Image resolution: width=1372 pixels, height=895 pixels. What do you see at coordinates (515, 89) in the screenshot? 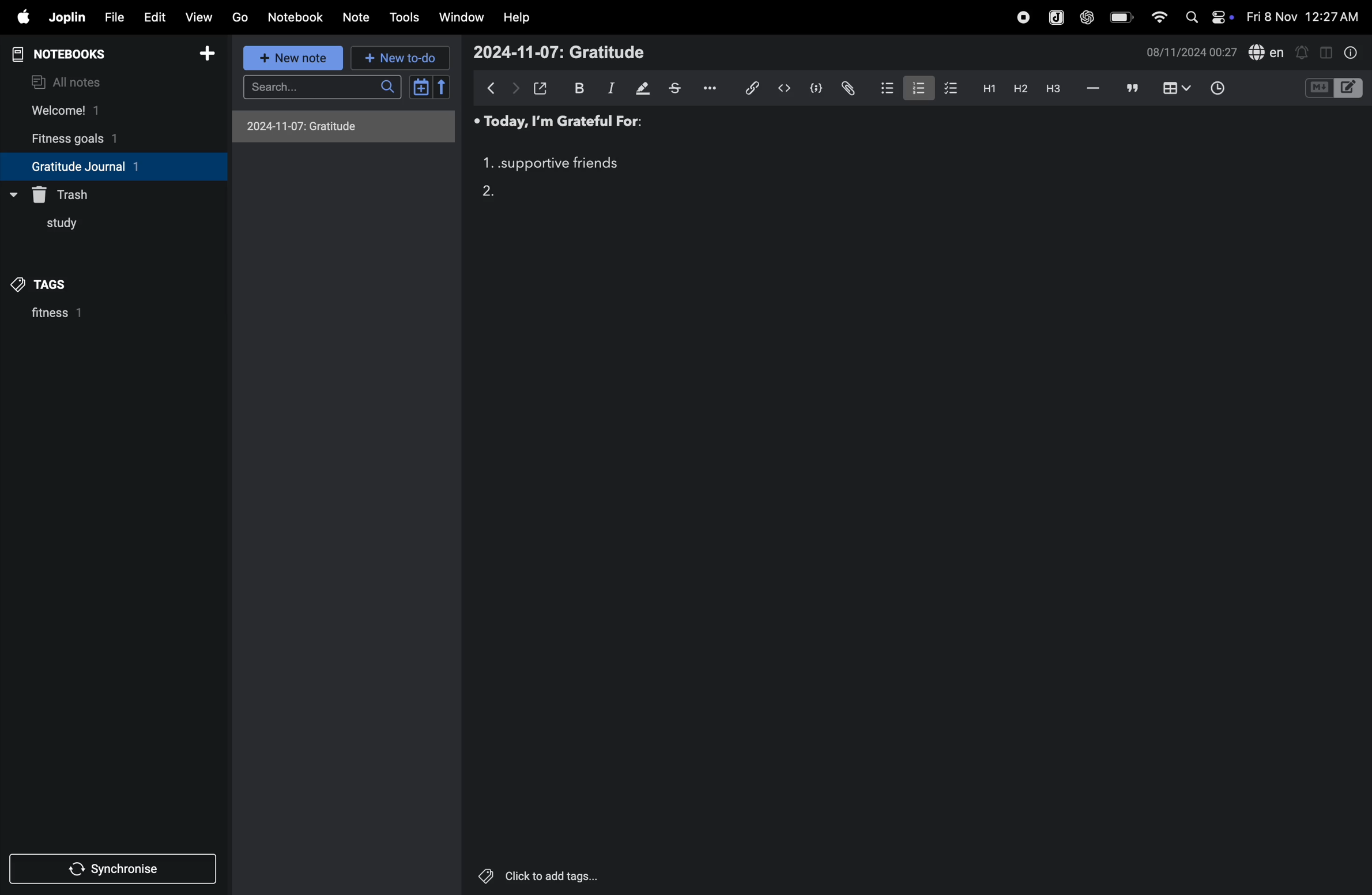
I see `forward` at bounding box center [515, 89].